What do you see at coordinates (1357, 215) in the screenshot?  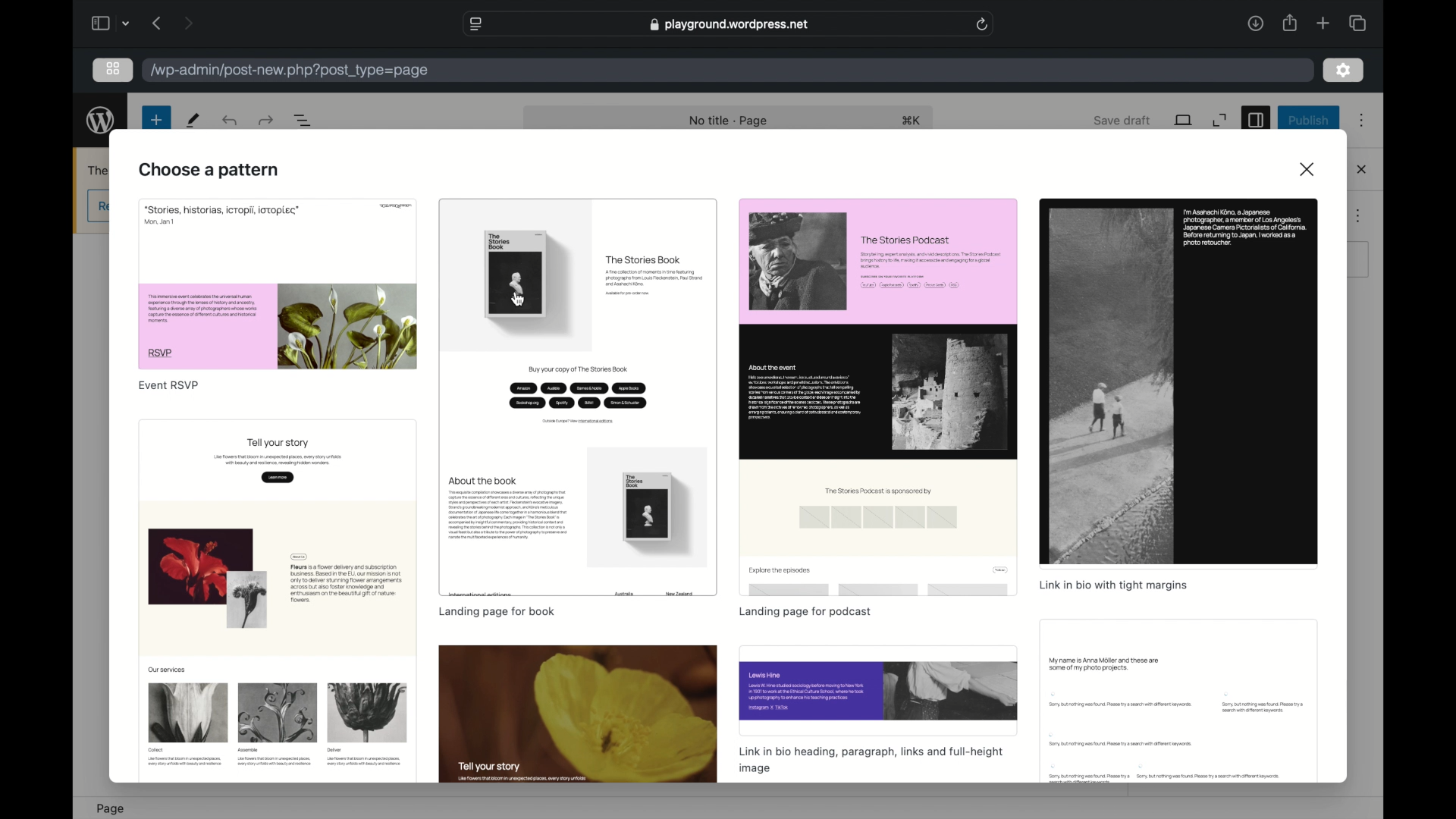 I see `more options` at bounding box center [1357, 215].